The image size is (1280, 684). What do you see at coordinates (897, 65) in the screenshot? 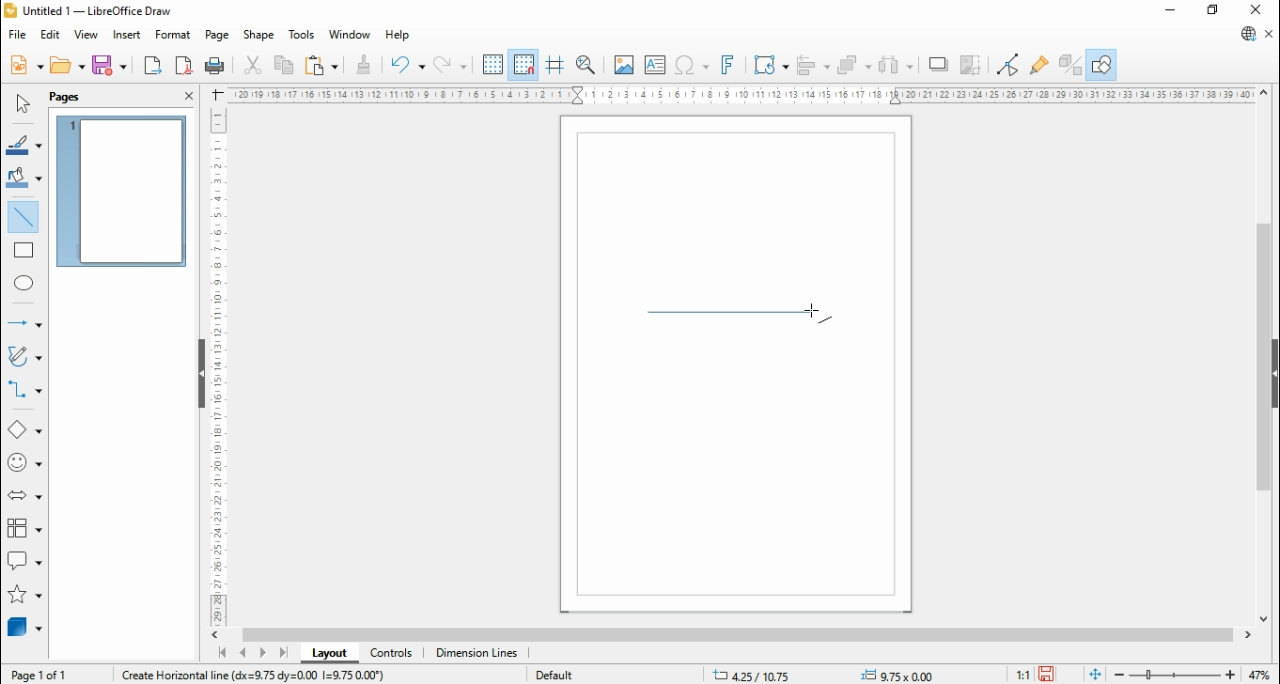
I see `select at least three objects to distribute` at bounding box center [897, 65].